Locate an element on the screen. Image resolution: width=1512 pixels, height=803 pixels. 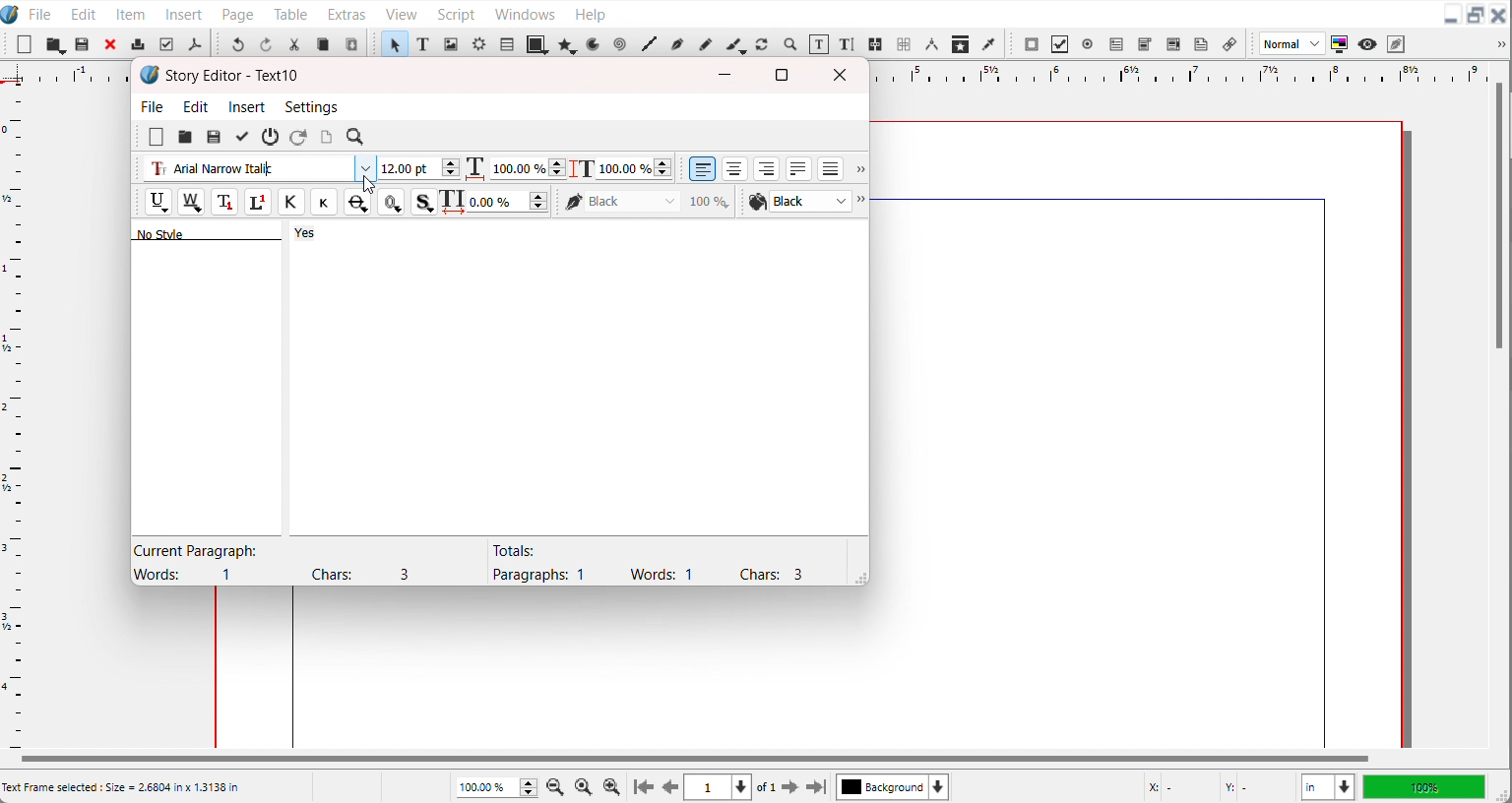
Edit content with frame is located at coordinates (819, 44).